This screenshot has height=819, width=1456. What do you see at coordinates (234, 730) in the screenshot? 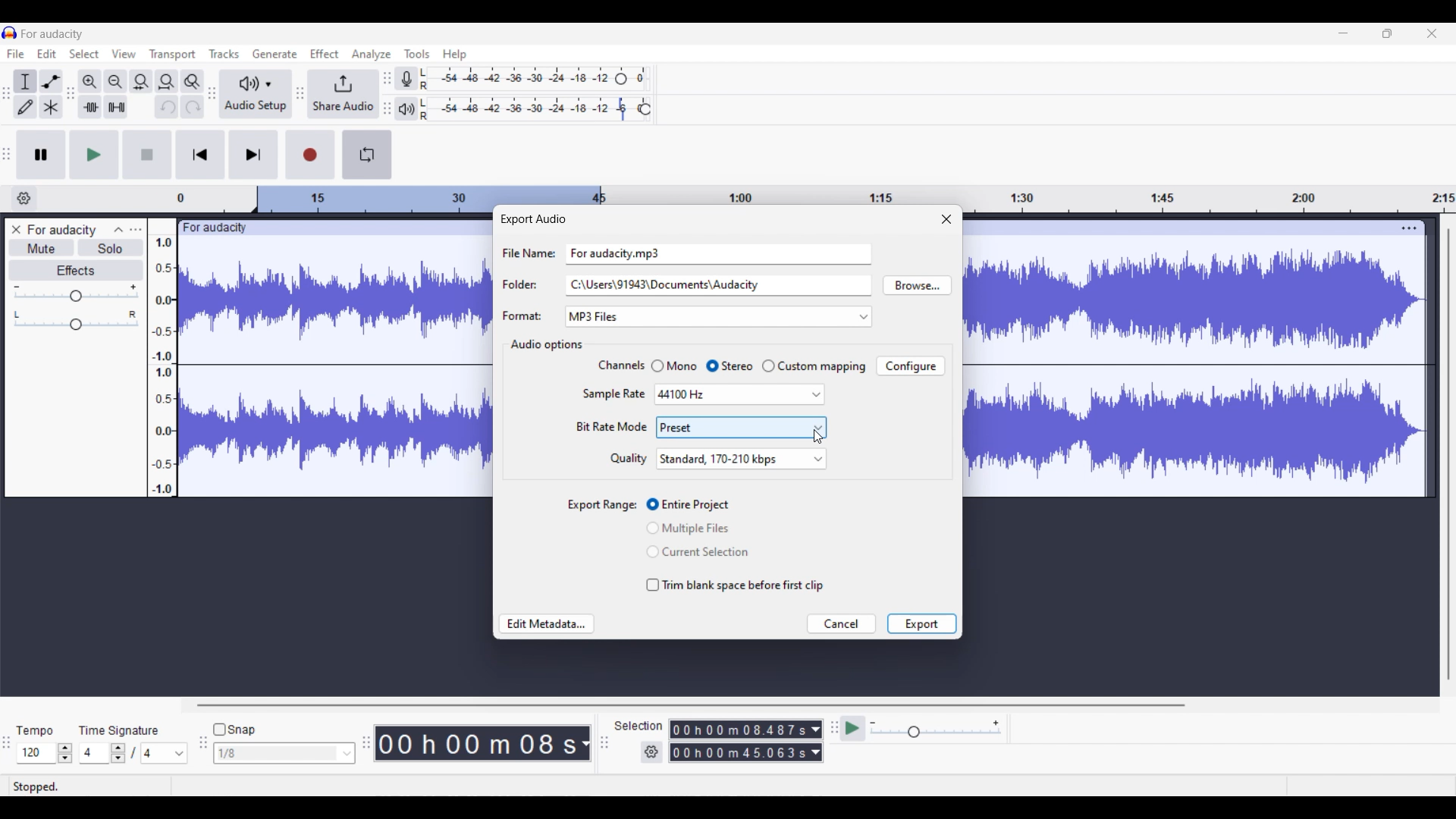
I see `Toggle for snap` at bounding box center [234, 730].